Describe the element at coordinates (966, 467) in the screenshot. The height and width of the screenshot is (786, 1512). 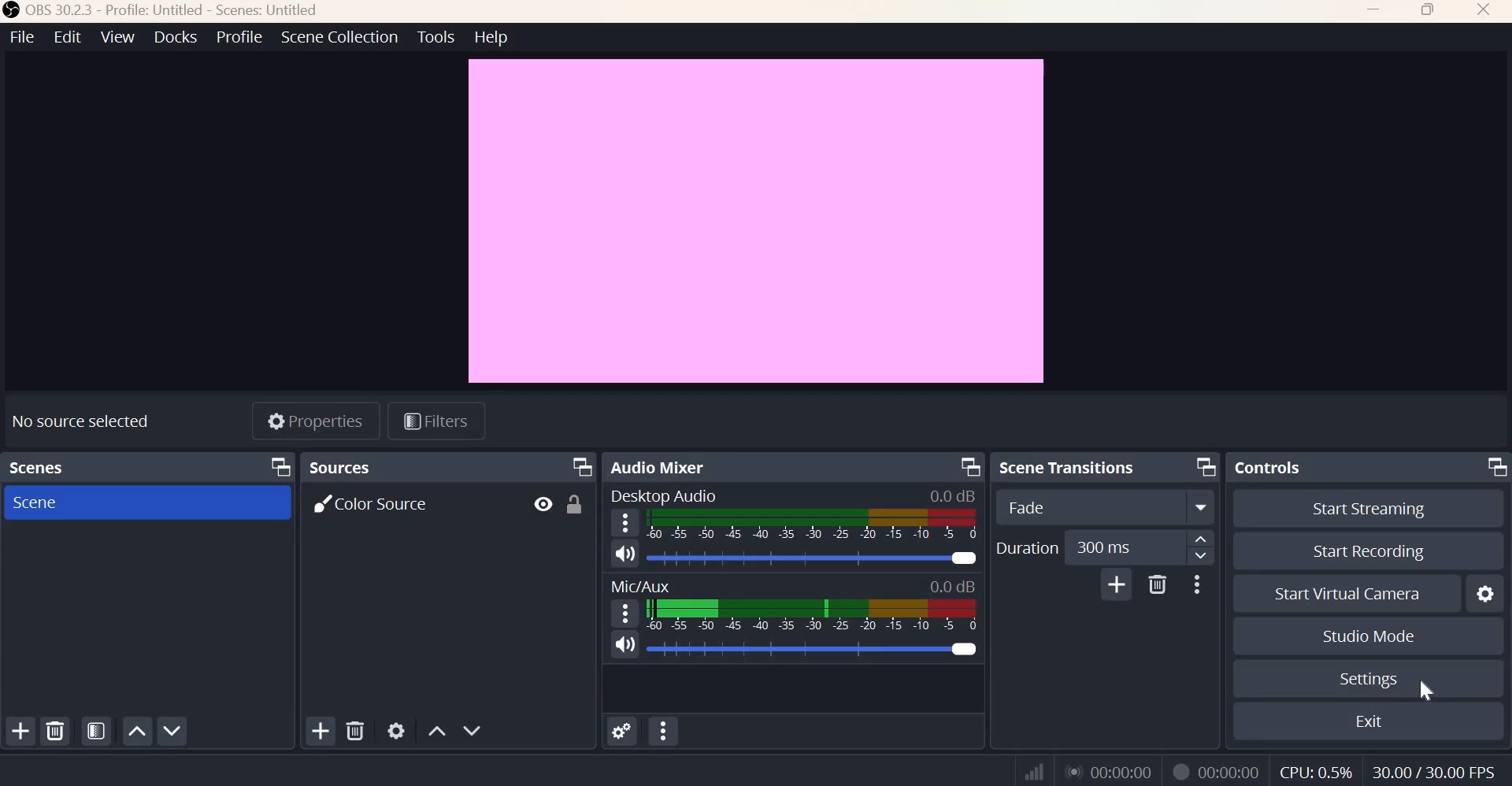
I see `Dock Options icon` at that location.